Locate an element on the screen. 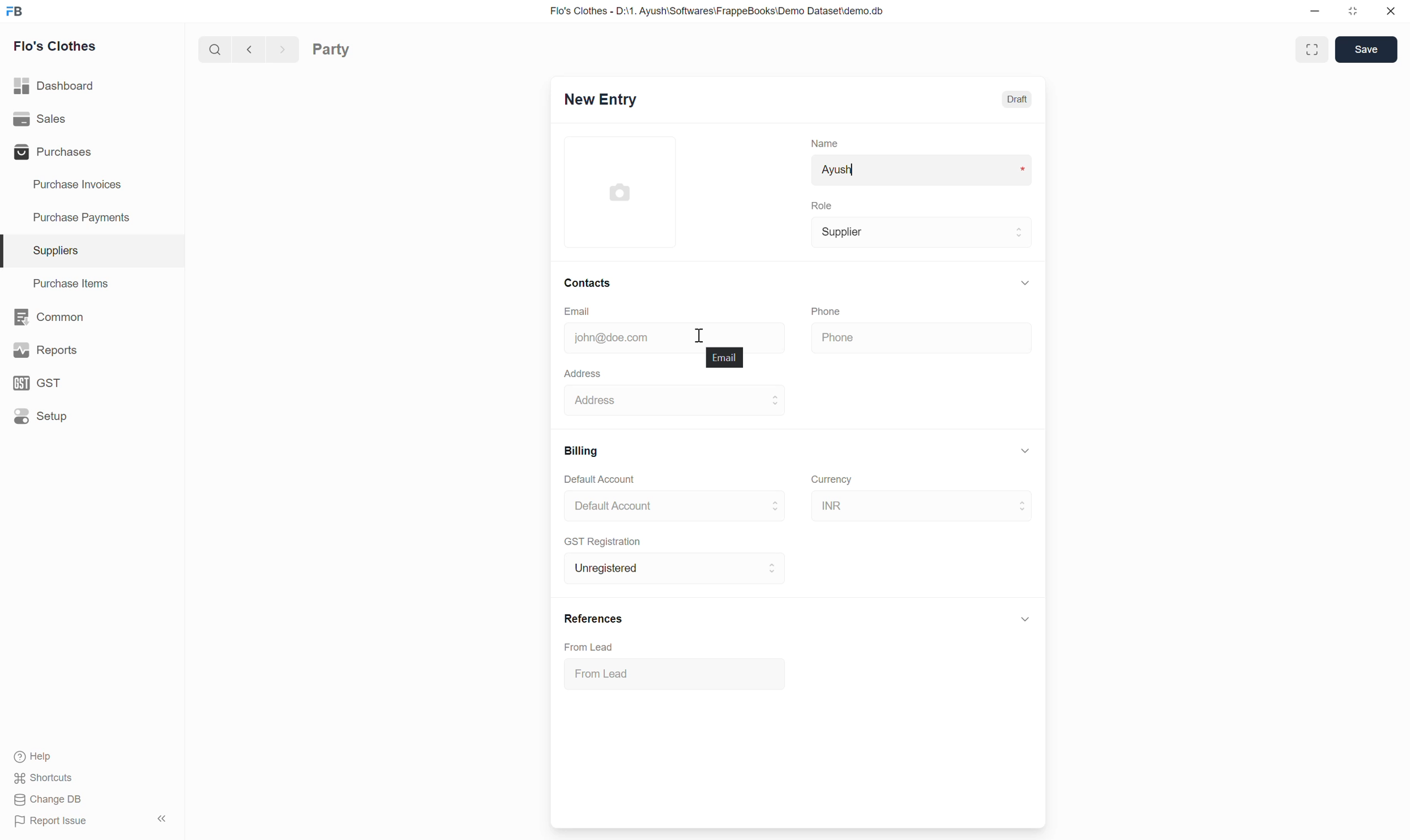  Collapse is located at coordinates (1025, 283).